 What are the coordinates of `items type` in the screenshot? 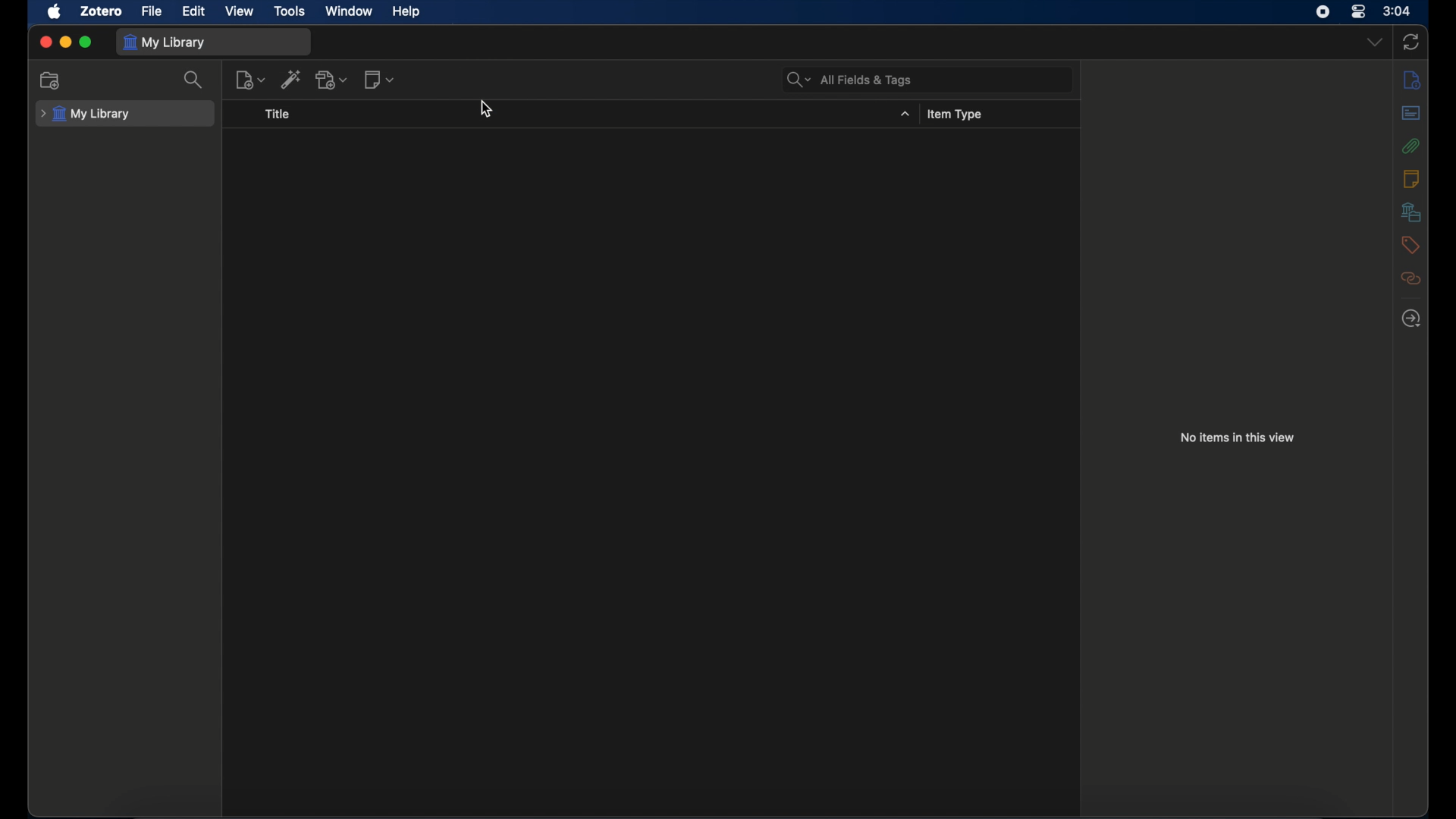 It's located at (957, 115).